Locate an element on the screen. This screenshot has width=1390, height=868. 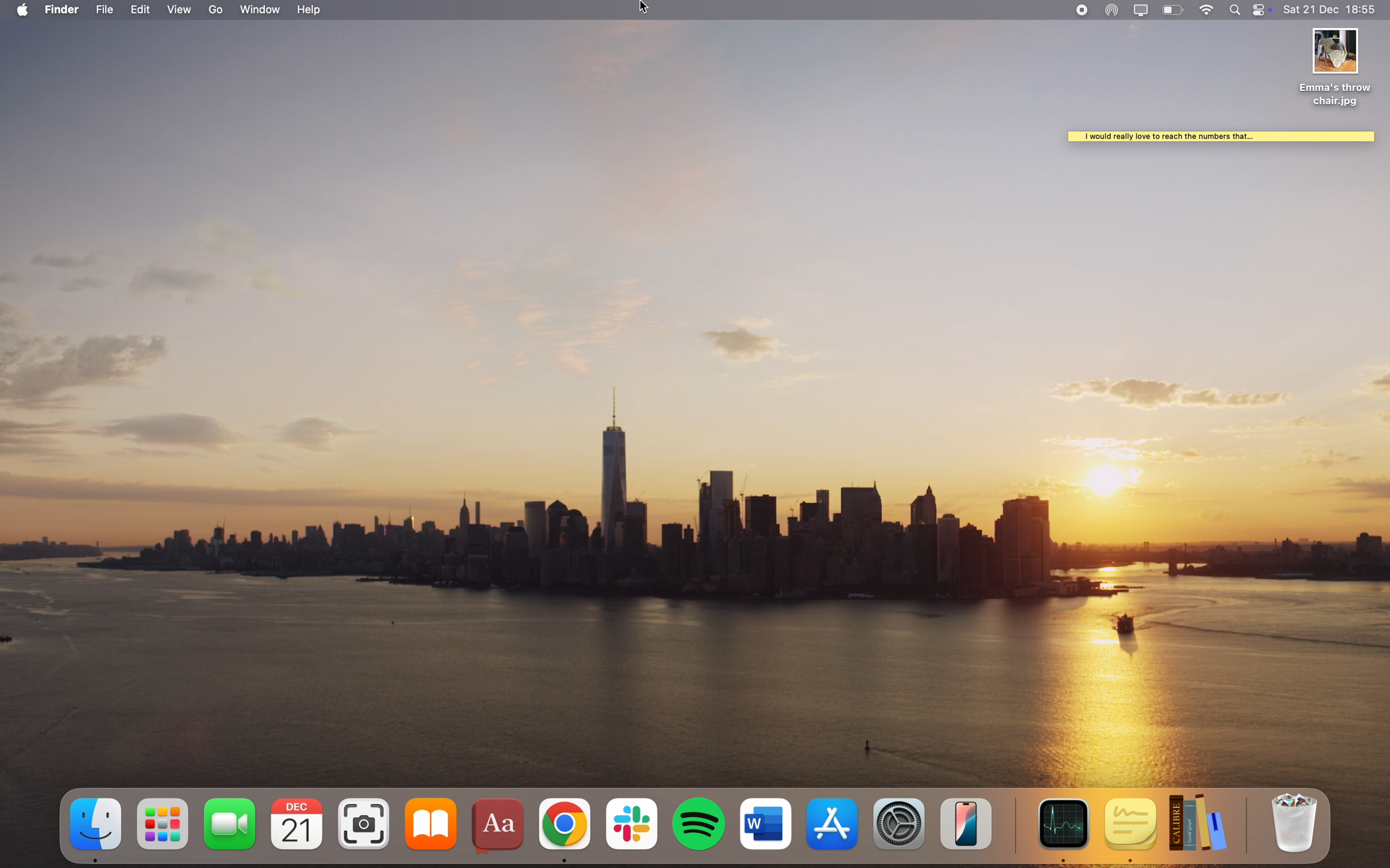
launchpad is located at coordinates (163, 830).